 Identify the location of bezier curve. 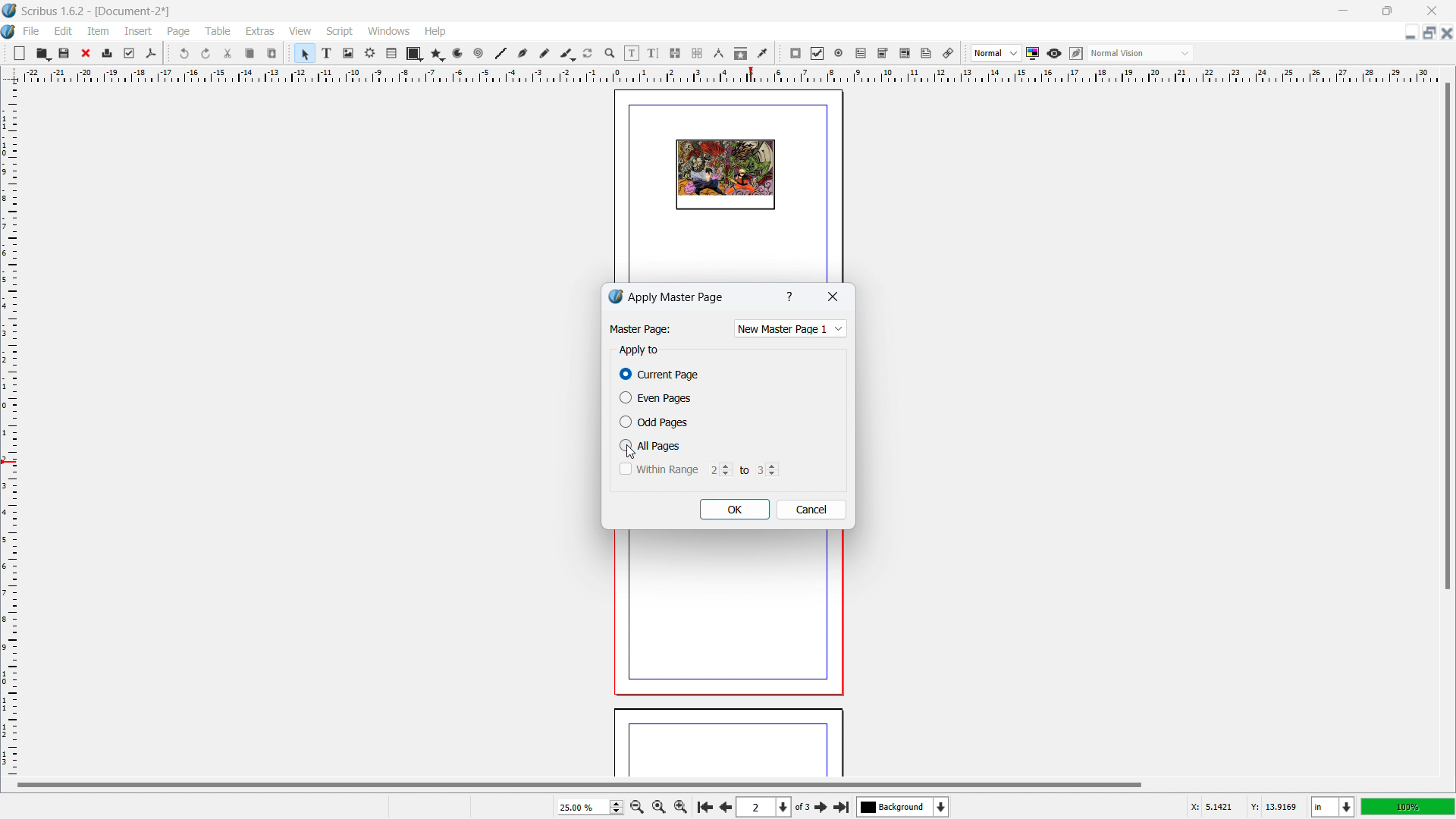
(522, 54).